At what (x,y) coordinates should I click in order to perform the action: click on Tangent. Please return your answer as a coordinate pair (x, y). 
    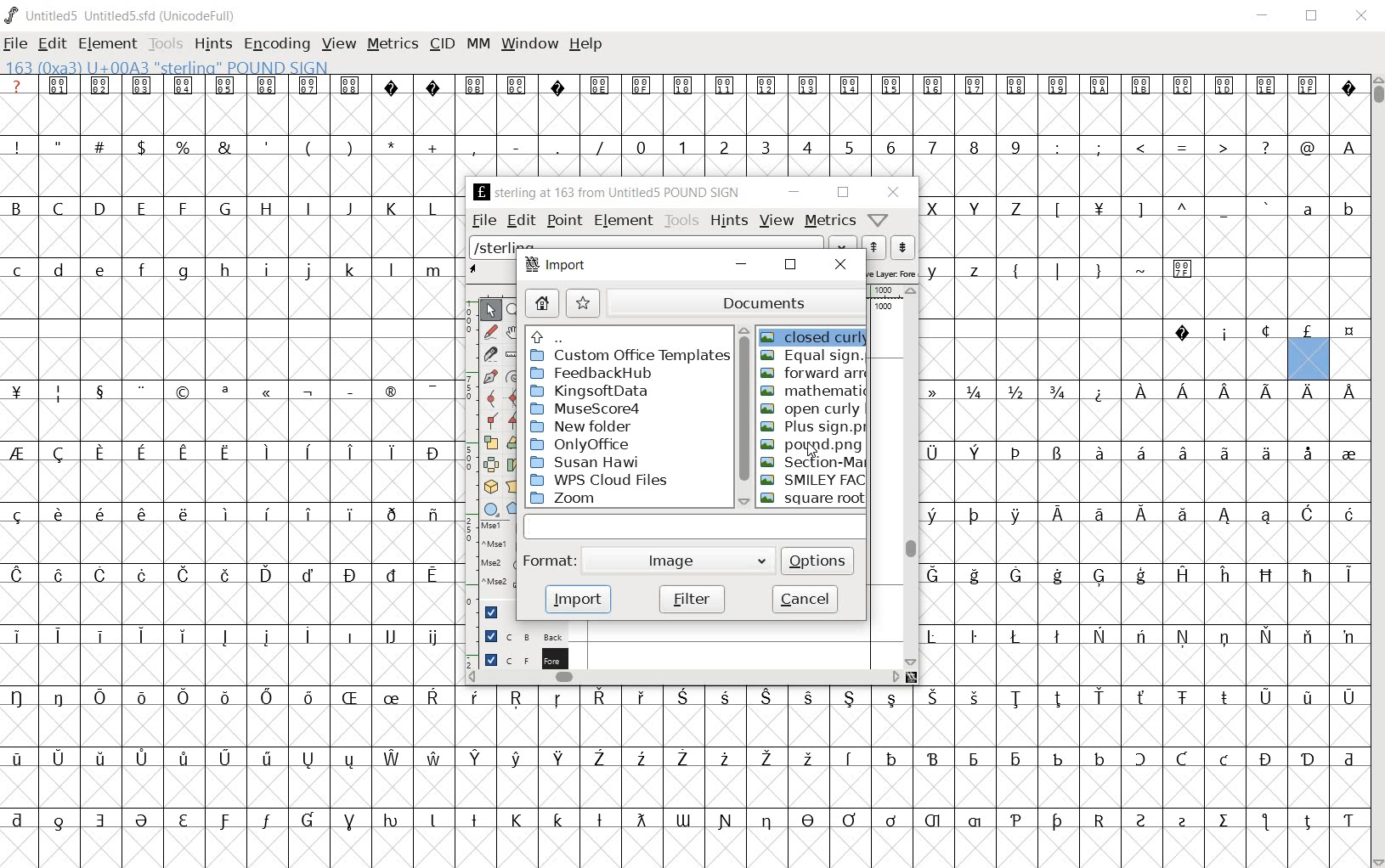
    Looking at the image, I should click on (516, 421).